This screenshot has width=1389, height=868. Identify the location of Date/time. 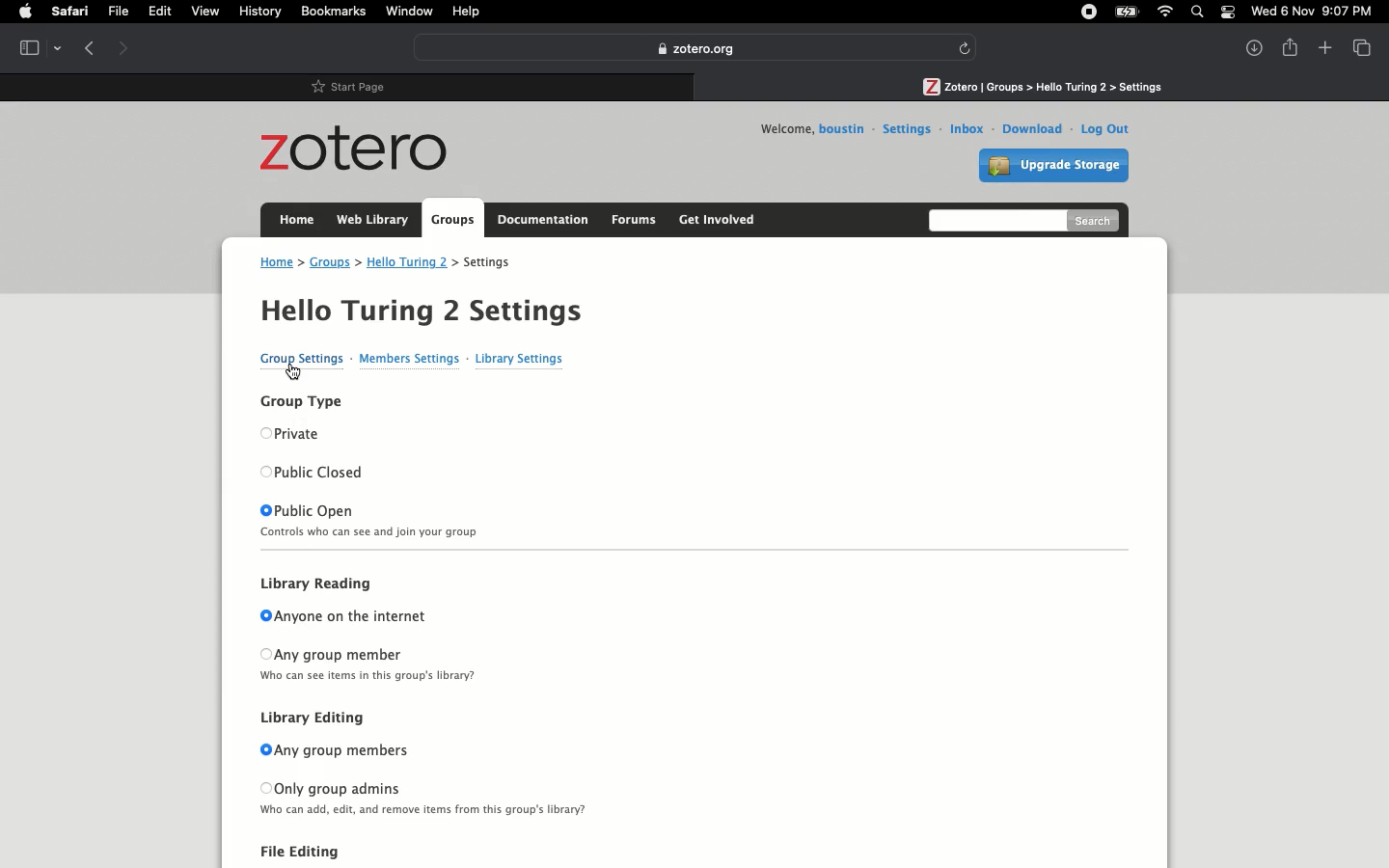
(1316, 12).